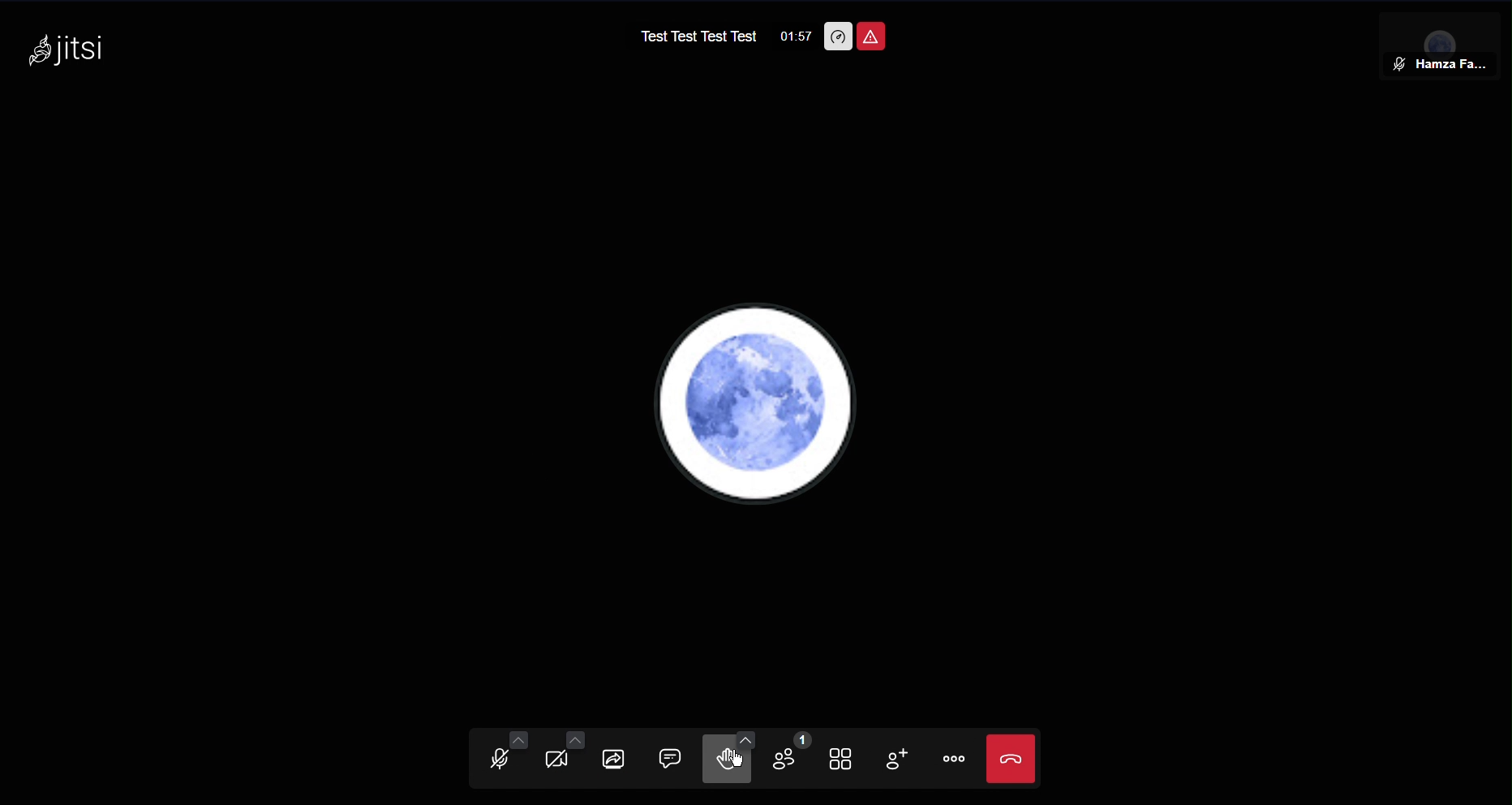 This screenshot has height=805, width=1512. I want to click on 01:57, so click(793, 36).